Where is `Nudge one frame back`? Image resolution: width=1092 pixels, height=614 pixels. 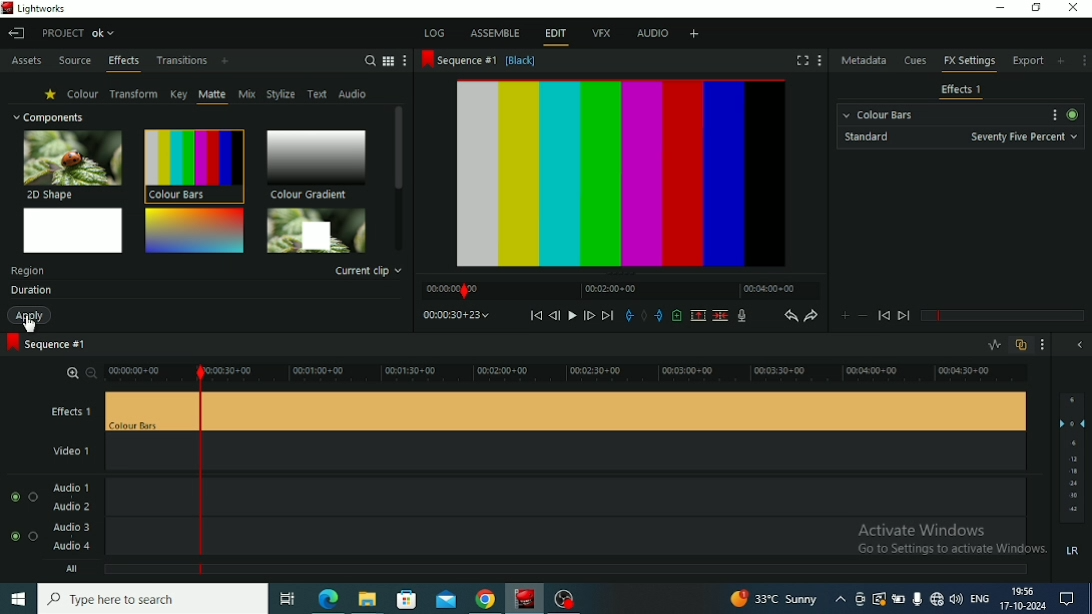
Nudge one frame back is located at coordinates (555, 316).